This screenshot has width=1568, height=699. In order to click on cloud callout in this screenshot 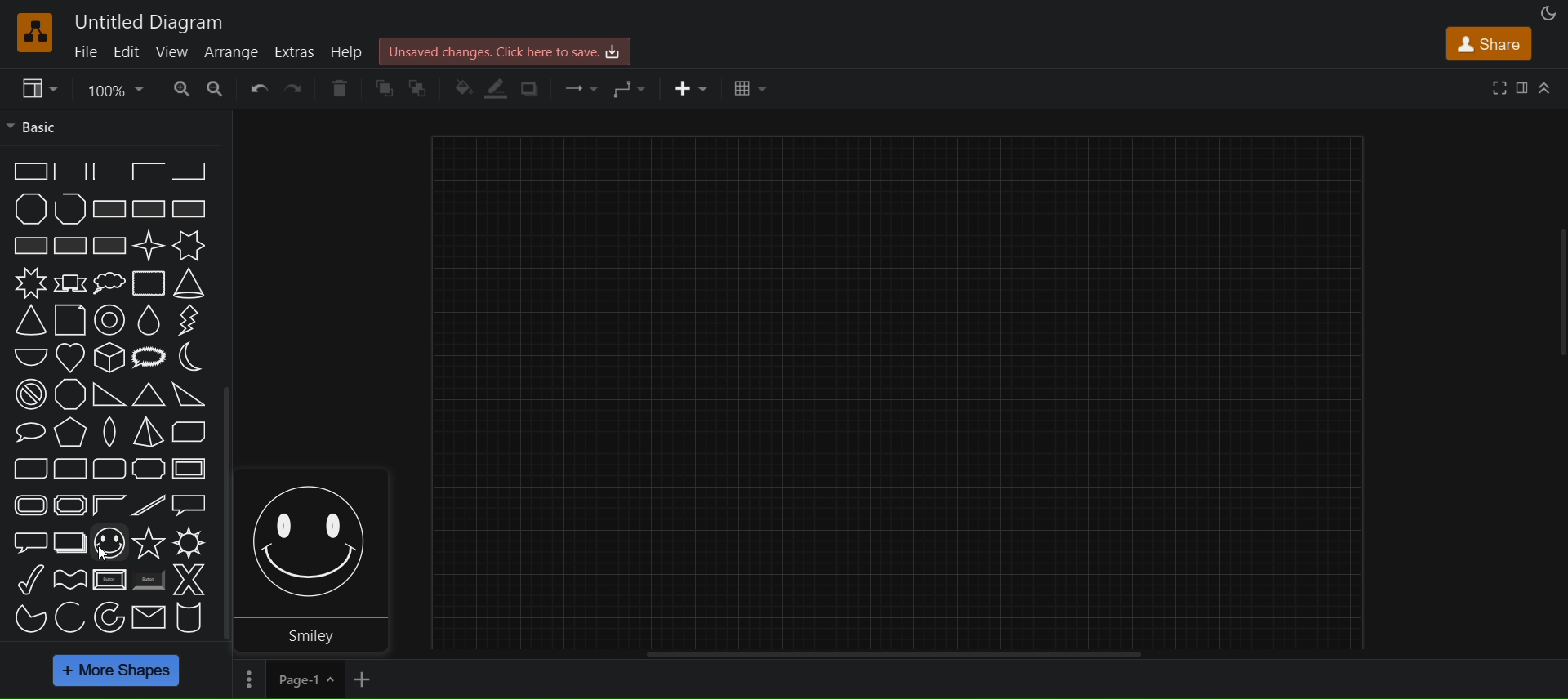, I will do `click(112, 283)`.